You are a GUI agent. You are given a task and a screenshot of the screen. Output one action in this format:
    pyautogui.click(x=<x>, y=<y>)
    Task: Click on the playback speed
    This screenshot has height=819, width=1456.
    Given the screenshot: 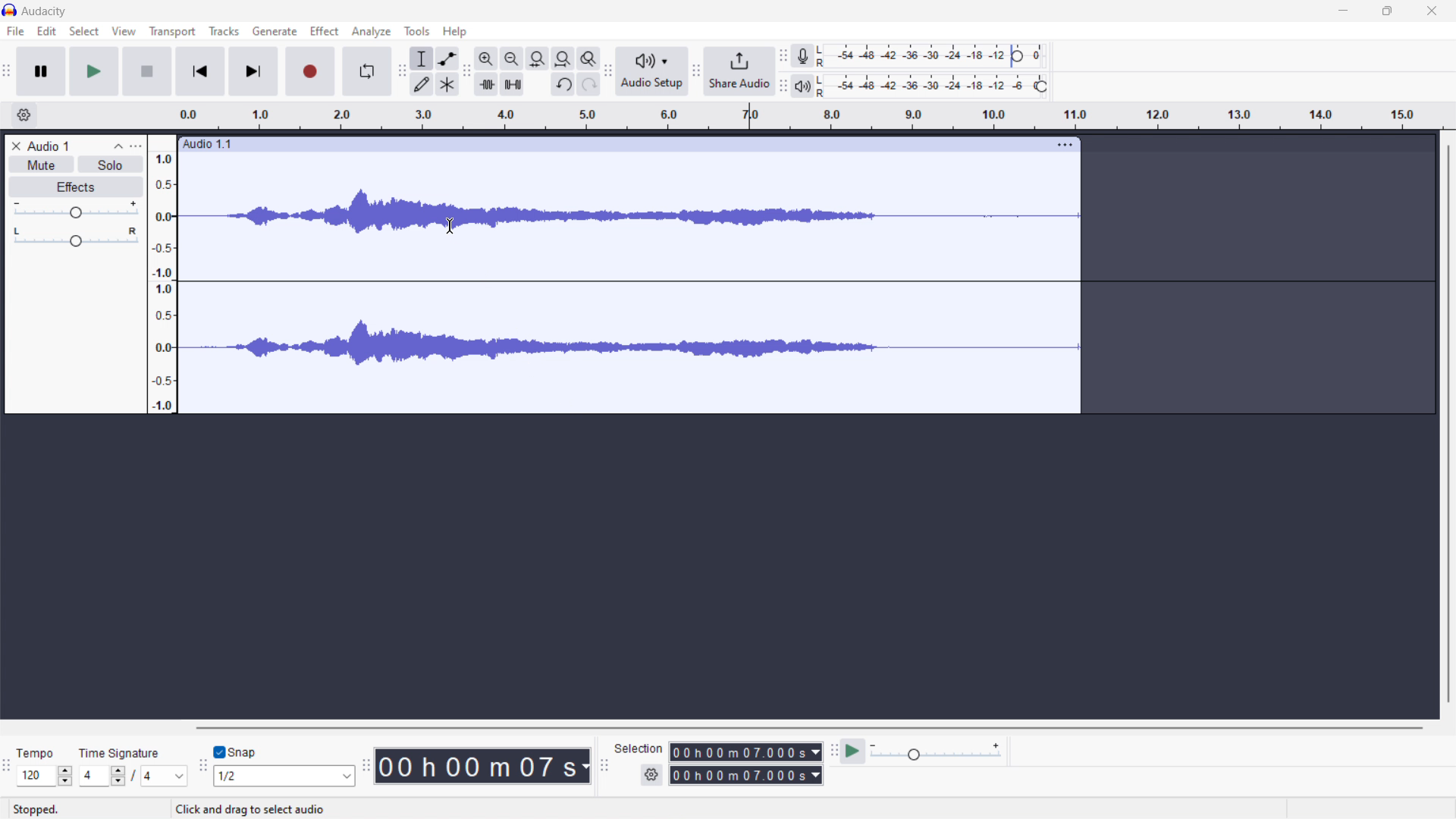 What is the action you would take?
    pyautogui.click(x=935, y=751)
    